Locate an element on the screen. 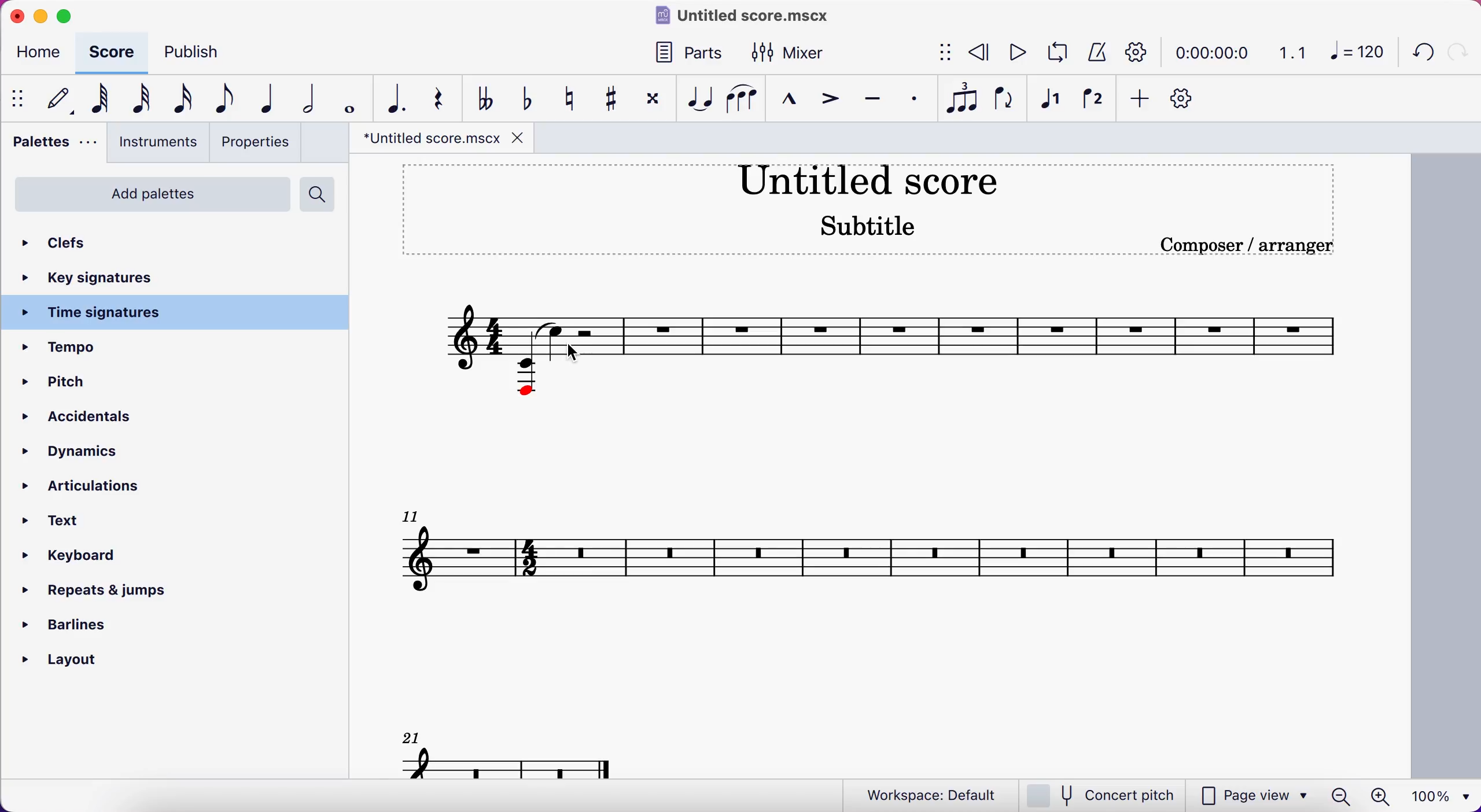 This screenshot has width=1481, height=812. keyboard is located at coordinates (86, 558).